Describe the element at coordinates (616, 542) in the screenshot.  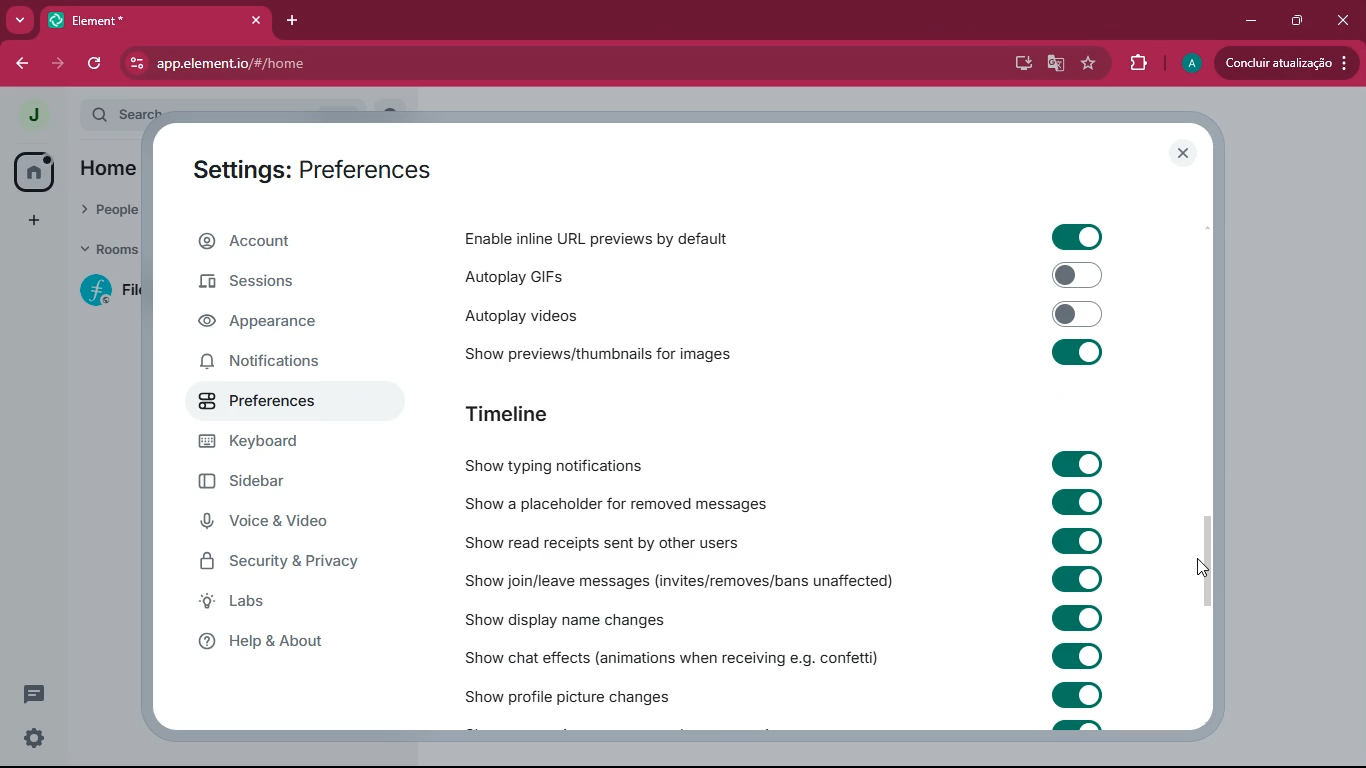
I see `show read receipts sent by other users` at that location.